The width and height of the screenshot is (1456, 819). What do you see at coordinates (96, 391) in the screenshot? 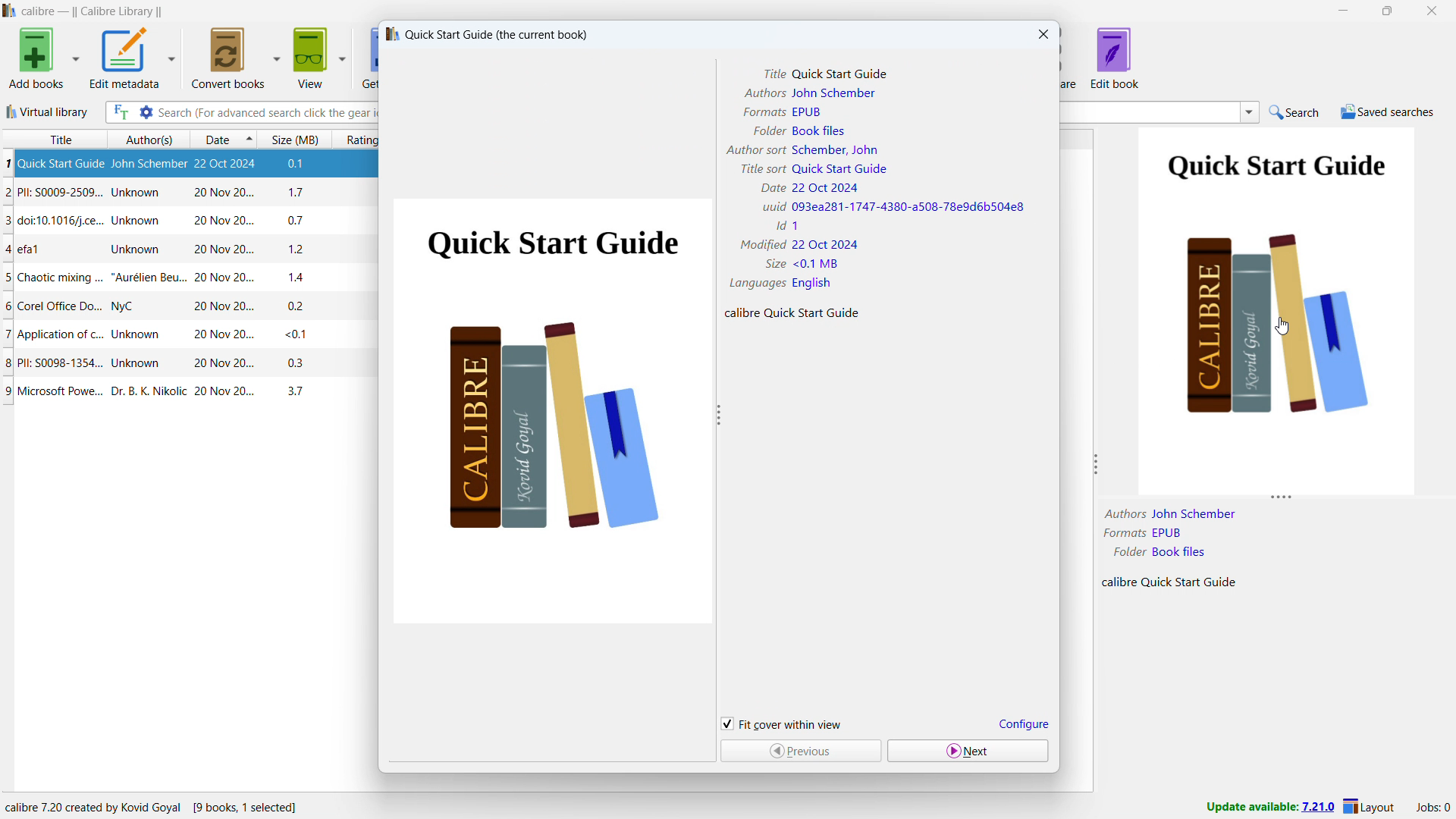
I see `Mlicrosoft Powe... Dr. B. K. Nikolic` at bounding box center [96, 391].